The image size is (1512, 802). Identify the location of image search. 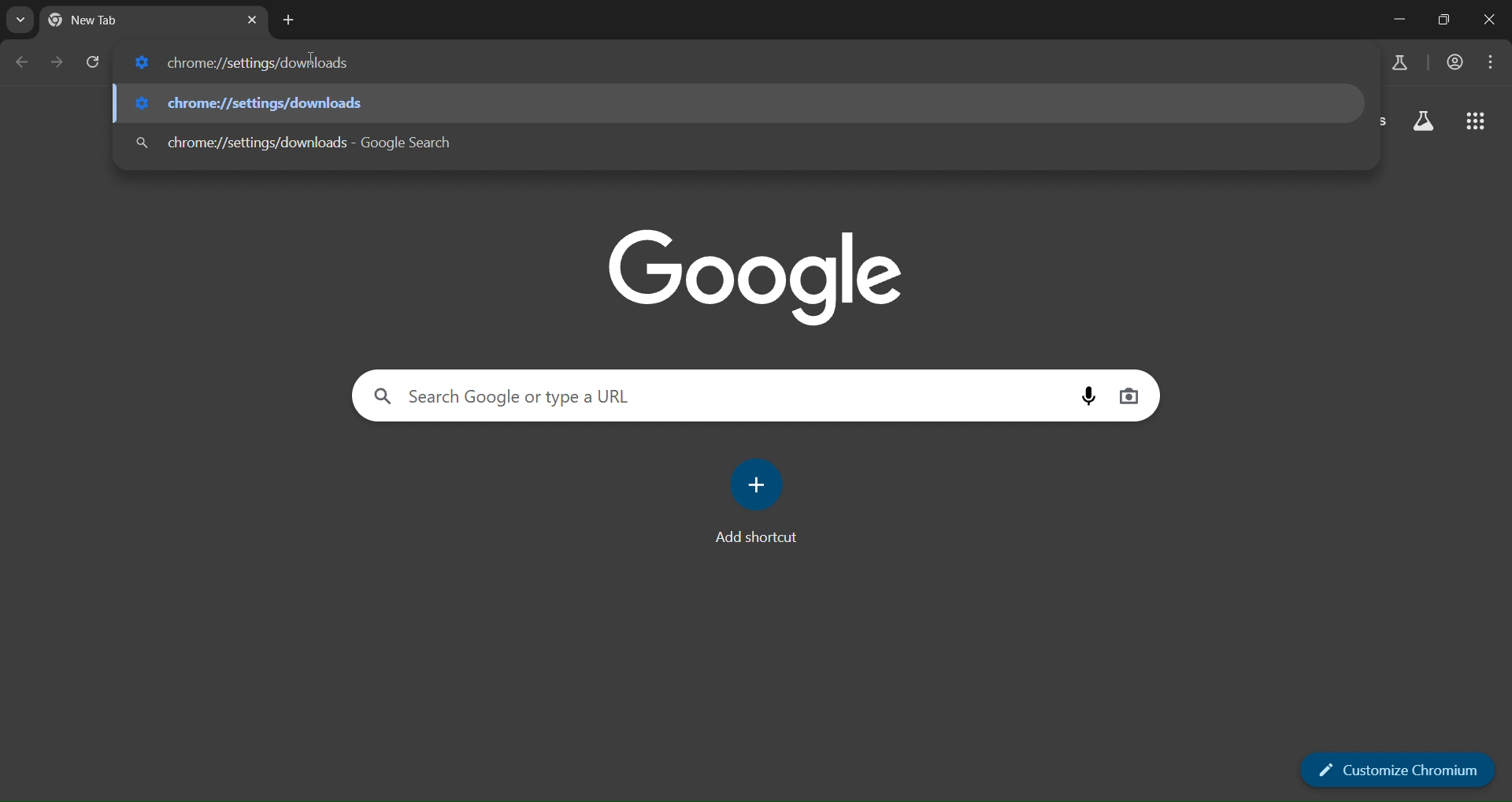
(1132, 399).